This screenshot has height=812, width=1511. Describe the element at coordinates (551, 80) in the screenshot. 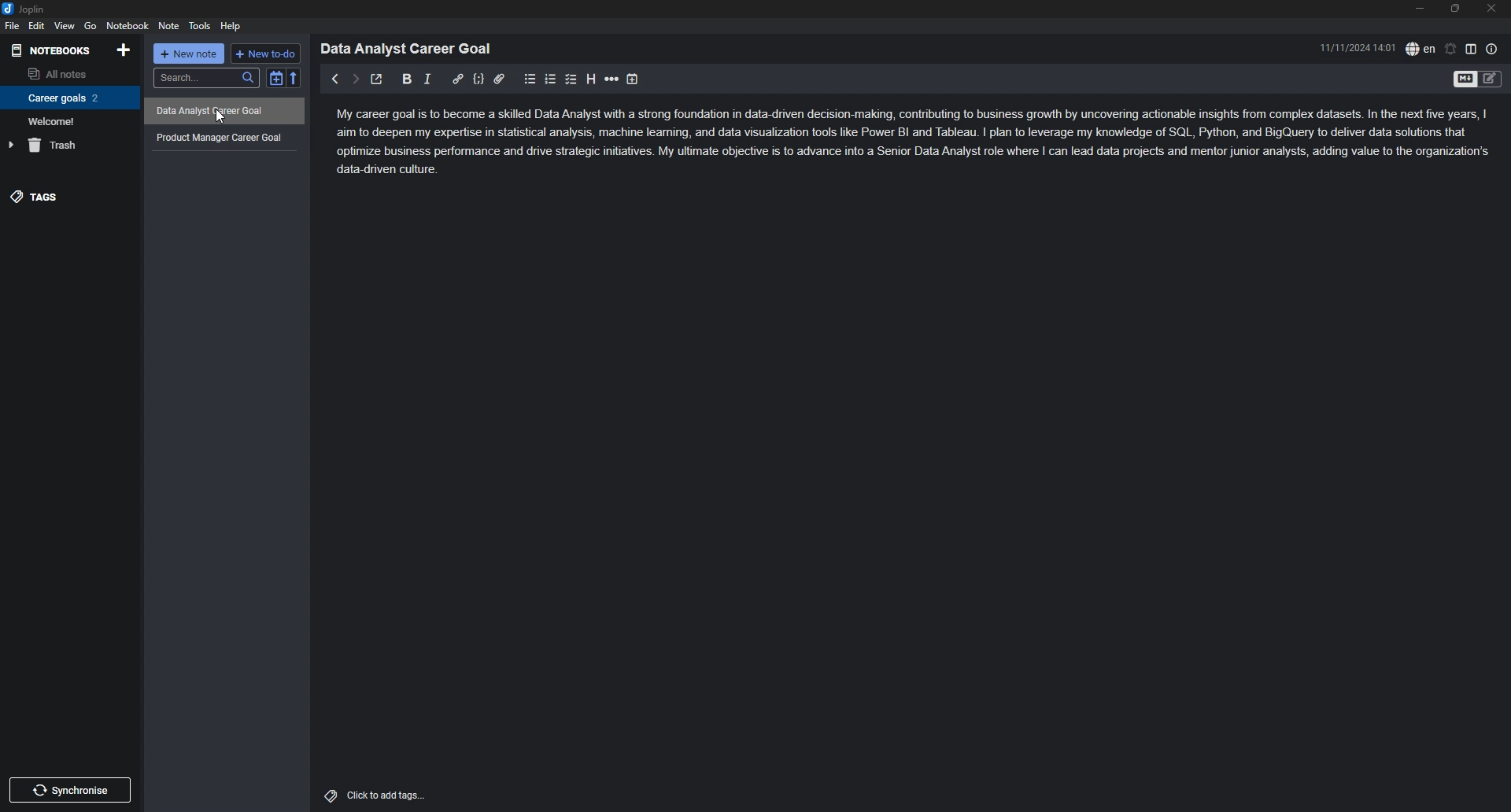

I see `numbered list` at that location.